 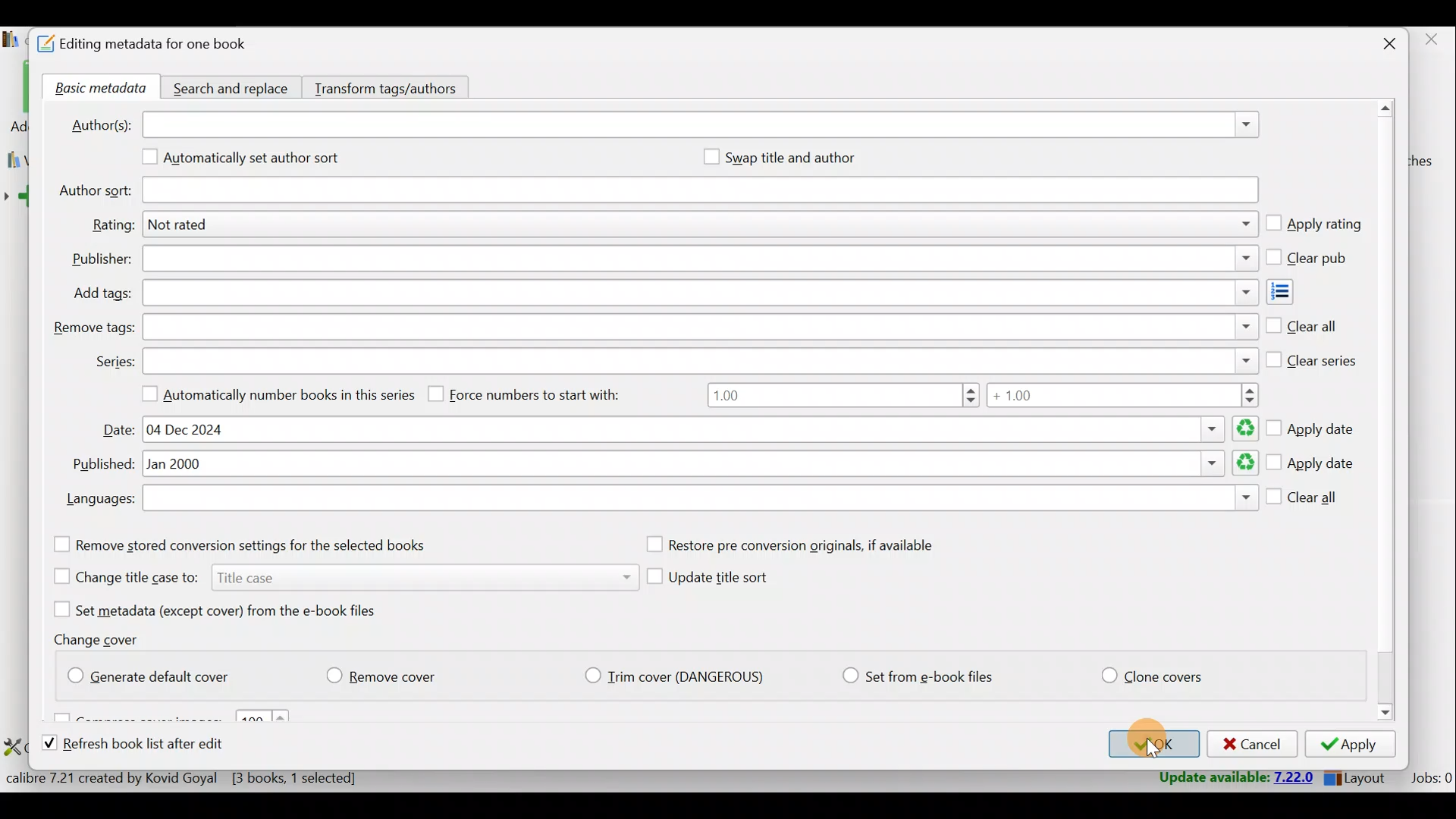 What do you see at coordinates (156, 673) in the screenshot?
I see `Generate default cover` at bounding box center [156, 673].